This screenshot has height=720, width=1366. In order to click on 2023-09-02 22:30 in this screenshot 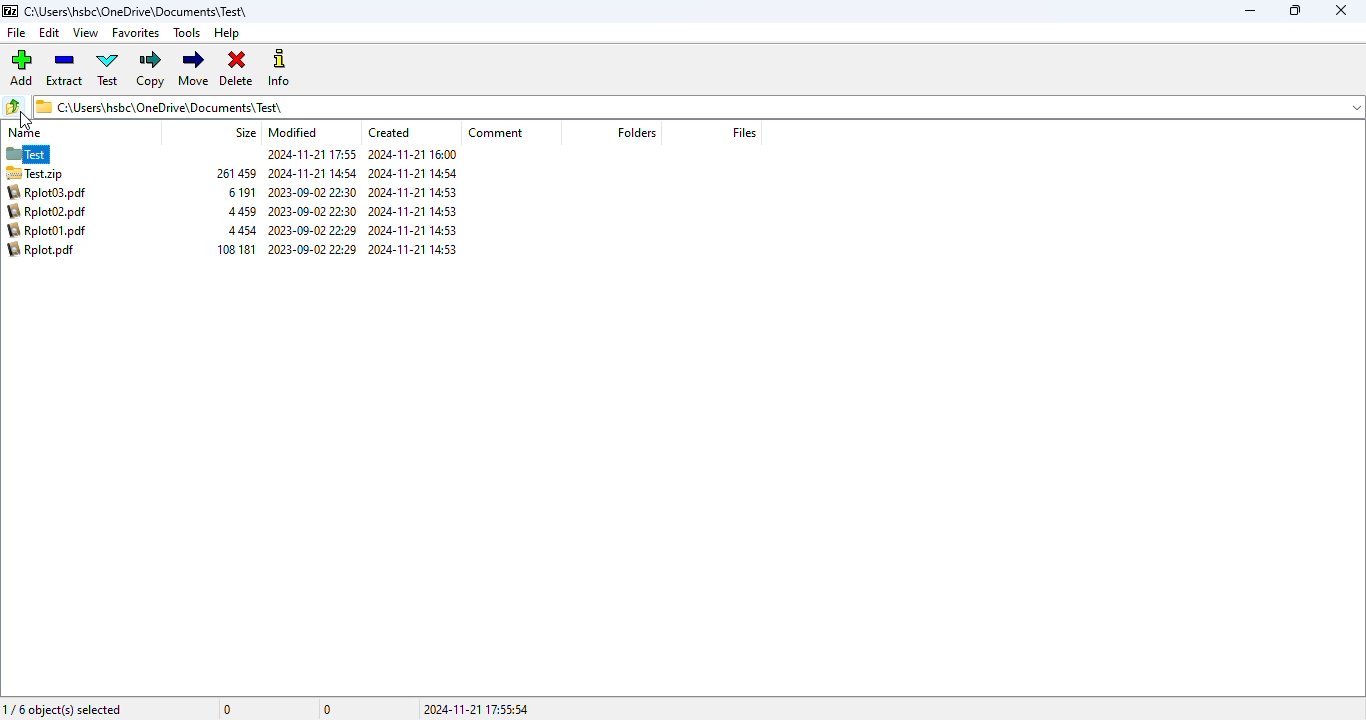, I will do `click(311, 212)`.